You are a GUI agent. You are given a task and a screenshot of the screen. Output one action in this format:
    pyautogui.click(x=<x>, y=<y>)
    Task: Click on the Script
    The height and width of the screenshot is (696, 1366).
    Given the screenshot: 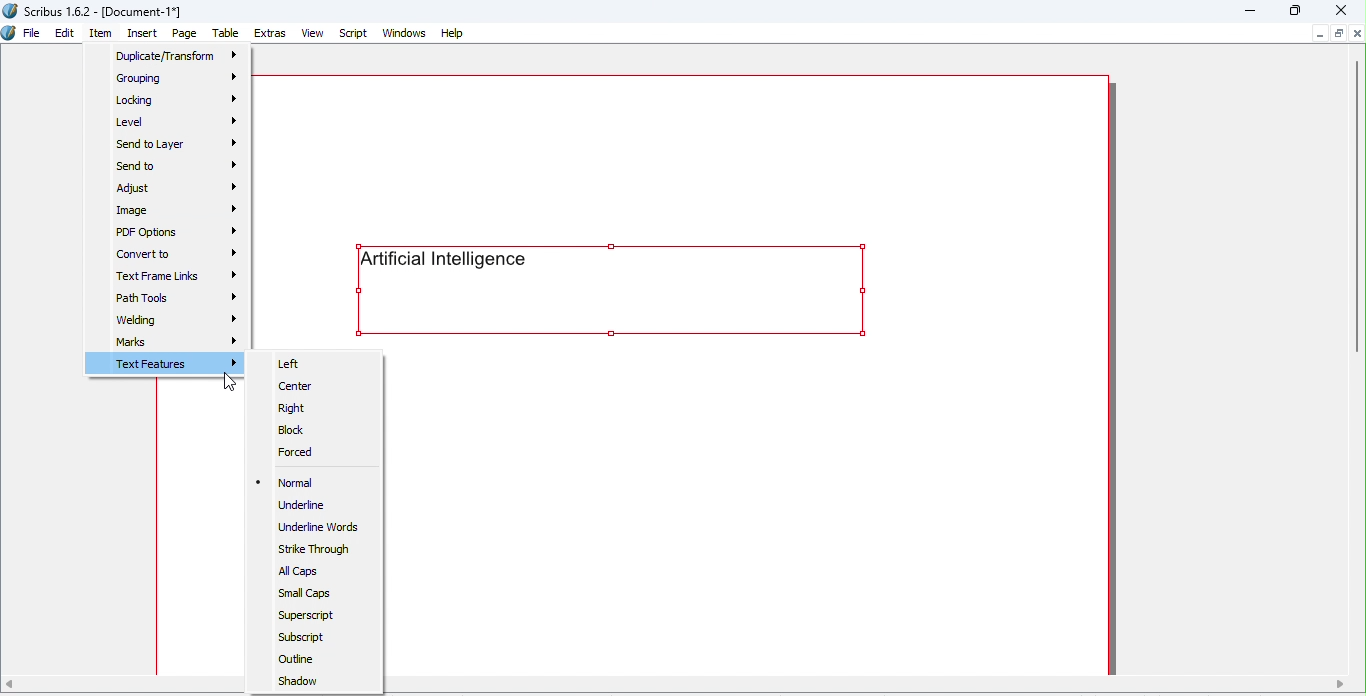 What is the action you would take?
    pyautogui.click(x=354, y=33)
    